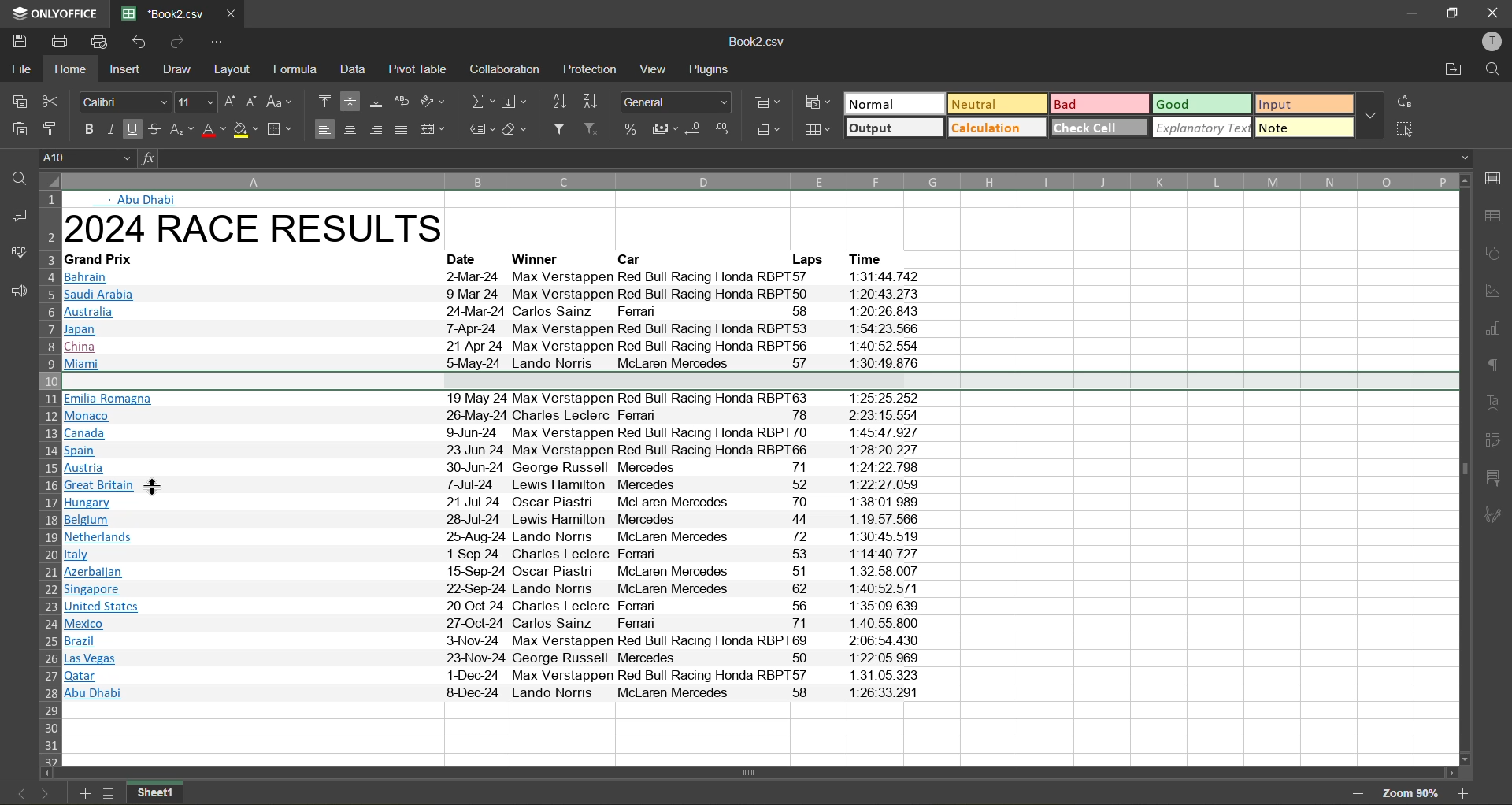 The width and height of the screenshot is (1512, 805). Describe the element at coordinates (491, 417) in the screenshot. I see `Monaco 26-May-24 Charles Leclerc Ferman 78 2:23:15.554` at that location.